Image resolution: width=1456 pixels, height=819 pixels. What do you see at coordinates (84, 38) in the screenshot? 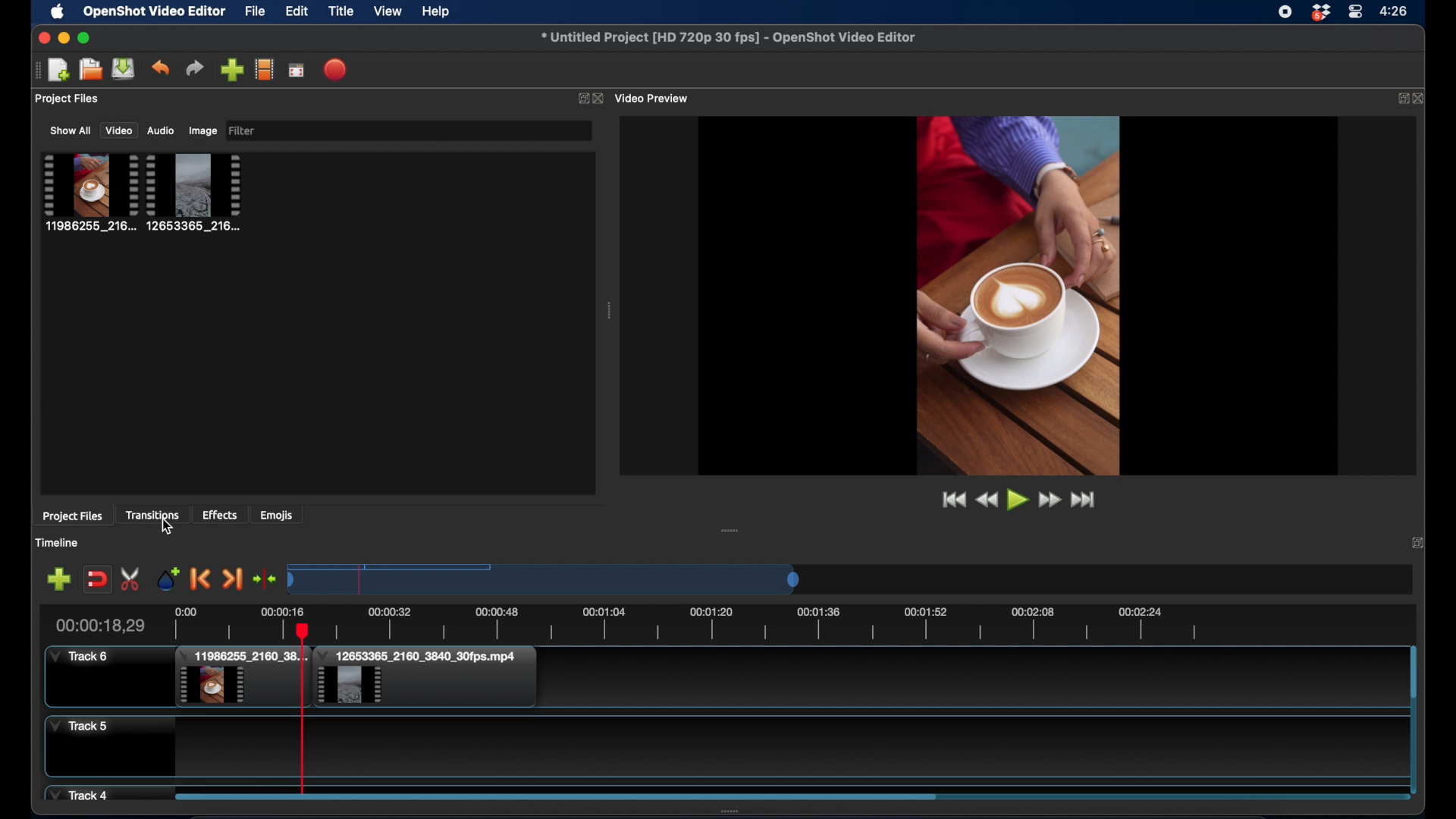
I see `maximize` at bounding box center [84, 38].